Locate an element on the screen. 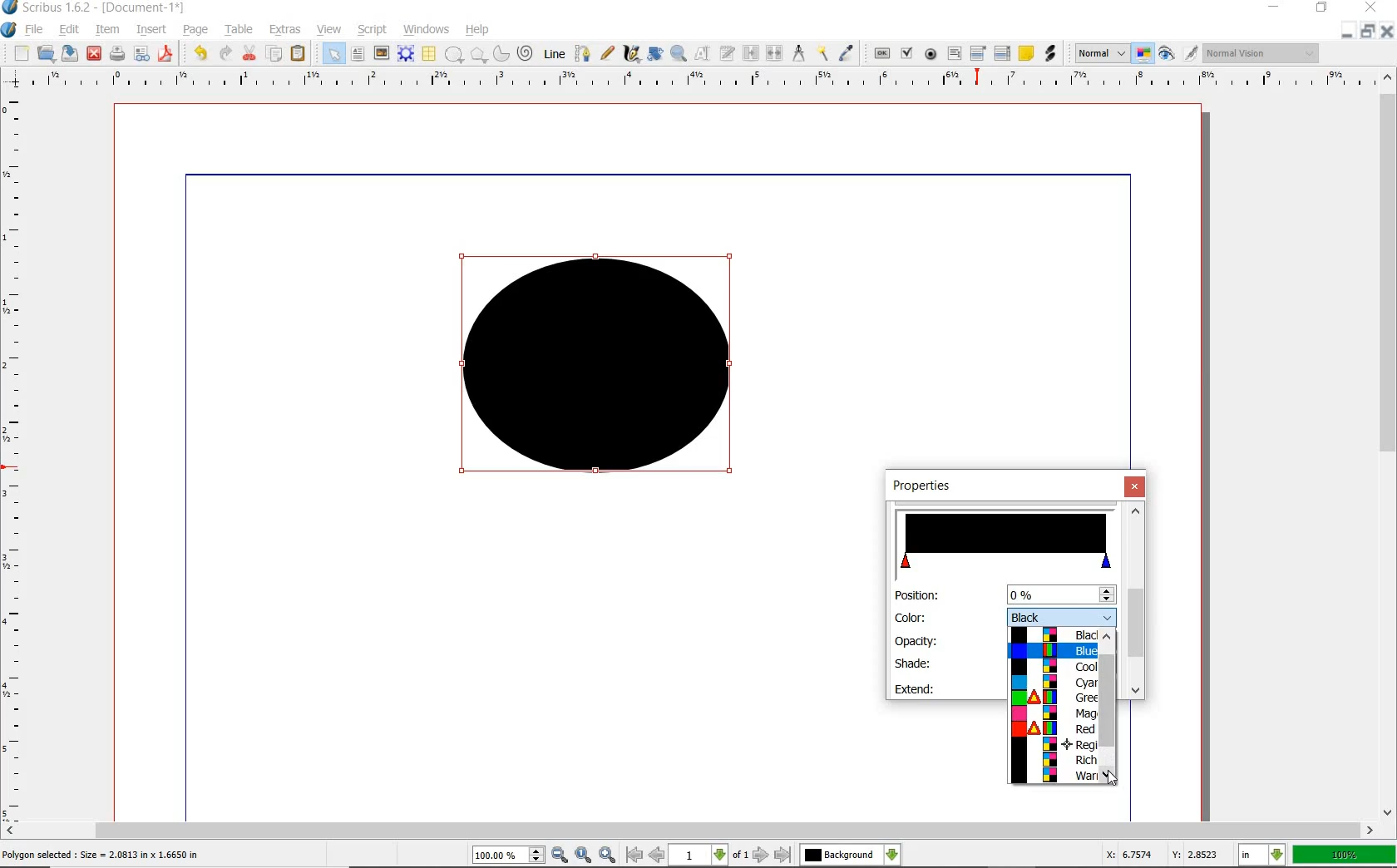 This screenshot has width=1397, height=868. next is located at coordinates (761, 855).